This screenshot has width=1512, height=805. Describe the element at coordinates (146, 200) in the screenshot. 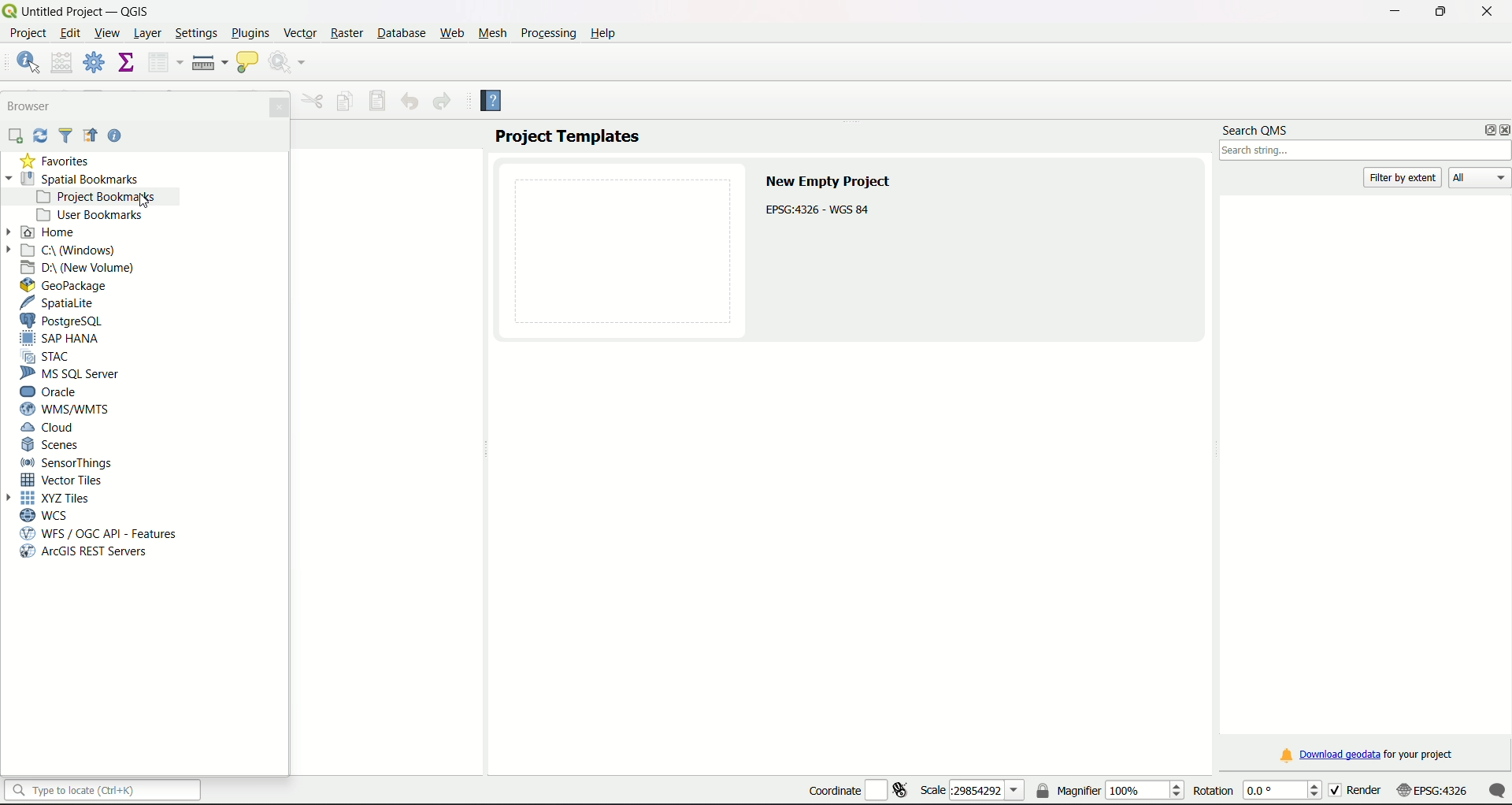

I see `Cursor` at that location.